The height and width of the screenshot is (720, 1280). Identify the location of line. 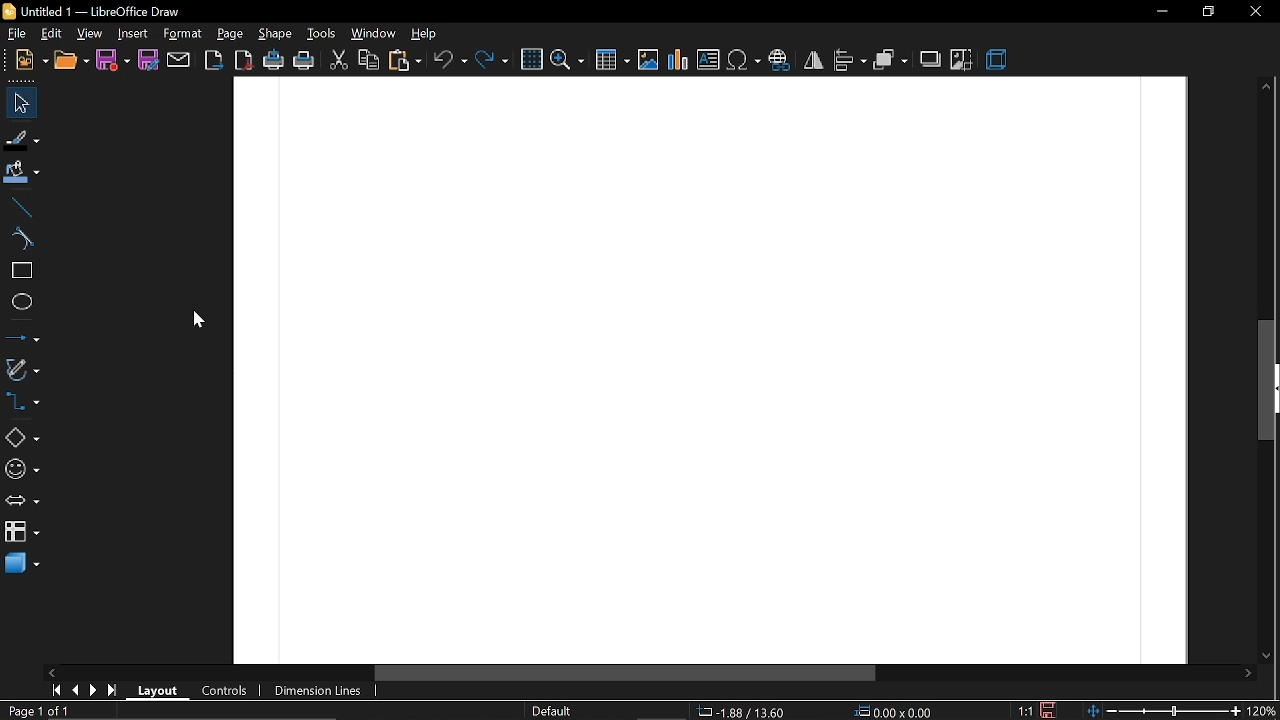
(18, 204).